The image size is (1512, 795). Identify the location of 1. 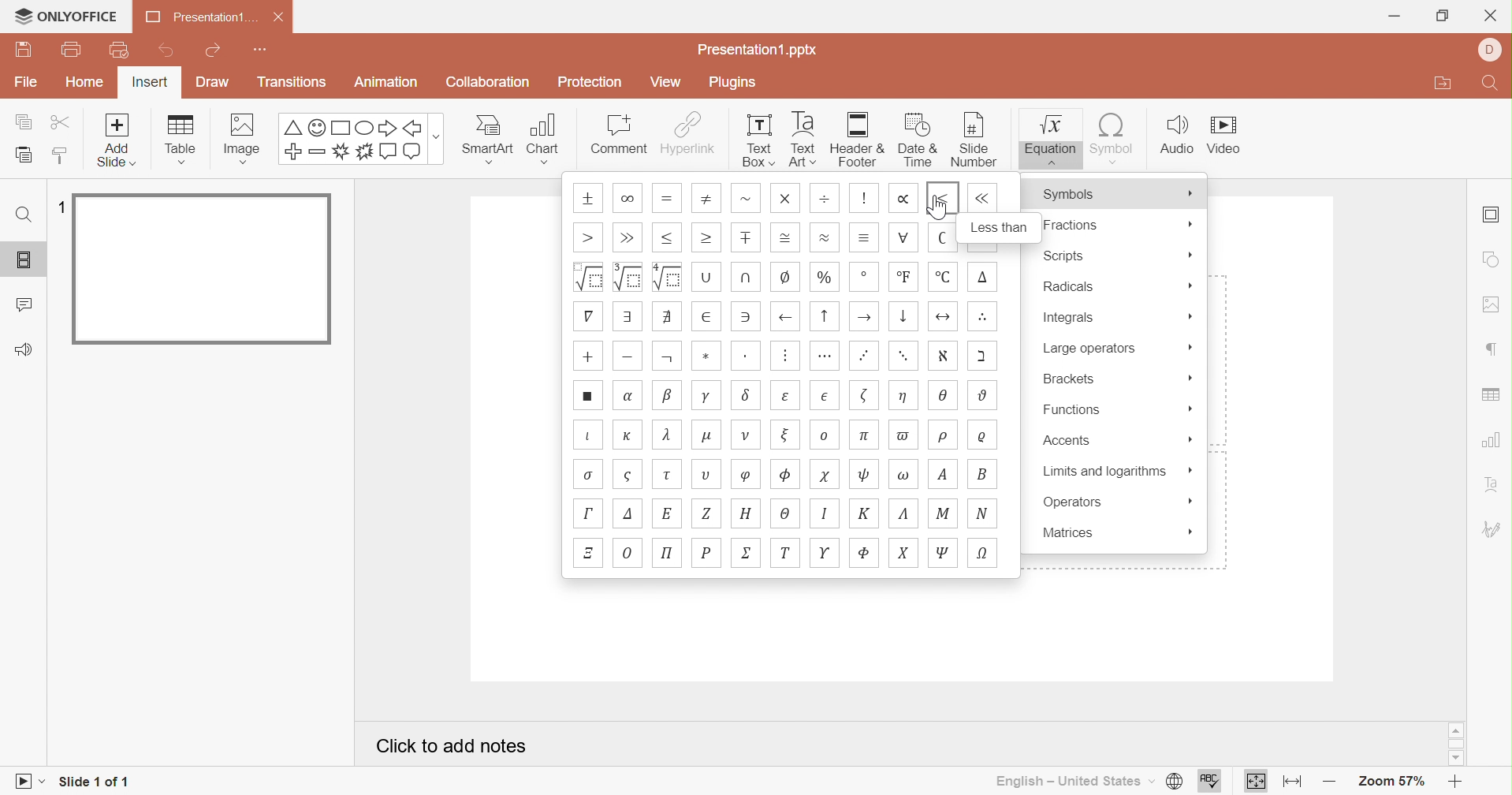
(62, 206).